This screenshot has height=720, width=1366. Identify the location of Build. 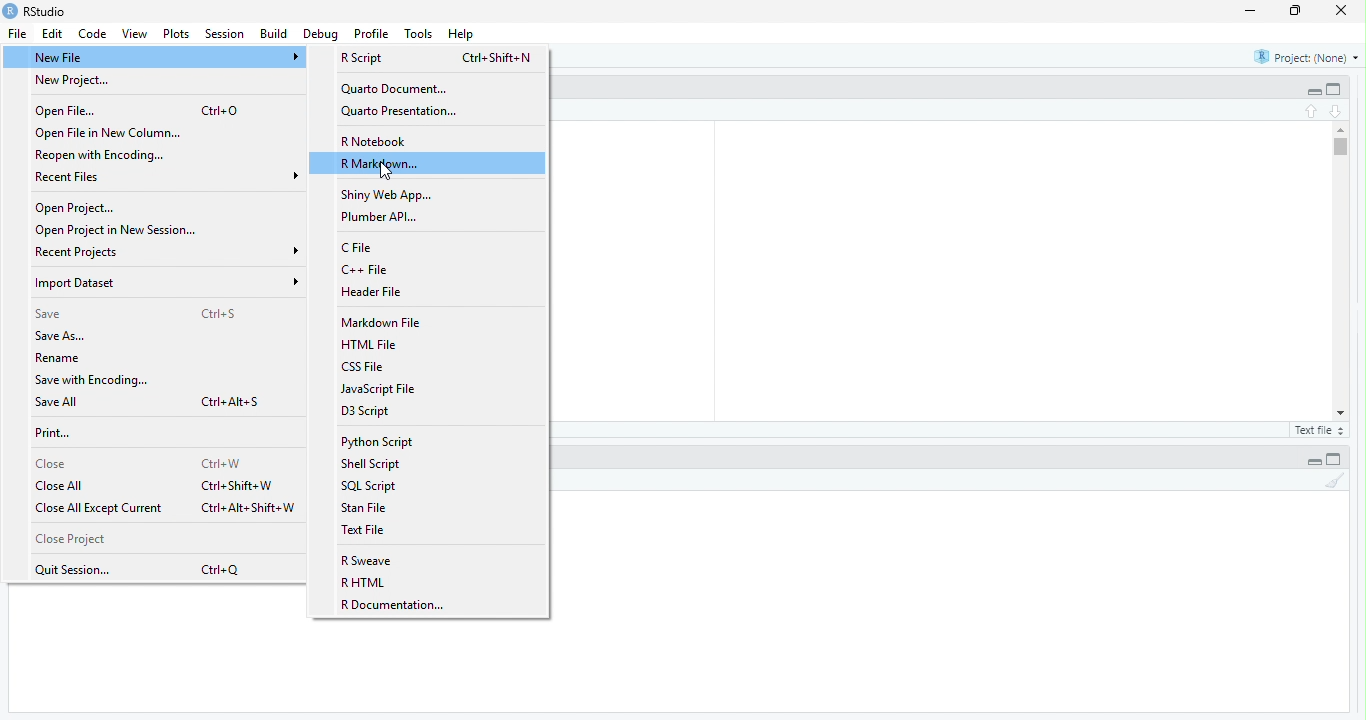
(275, 33).